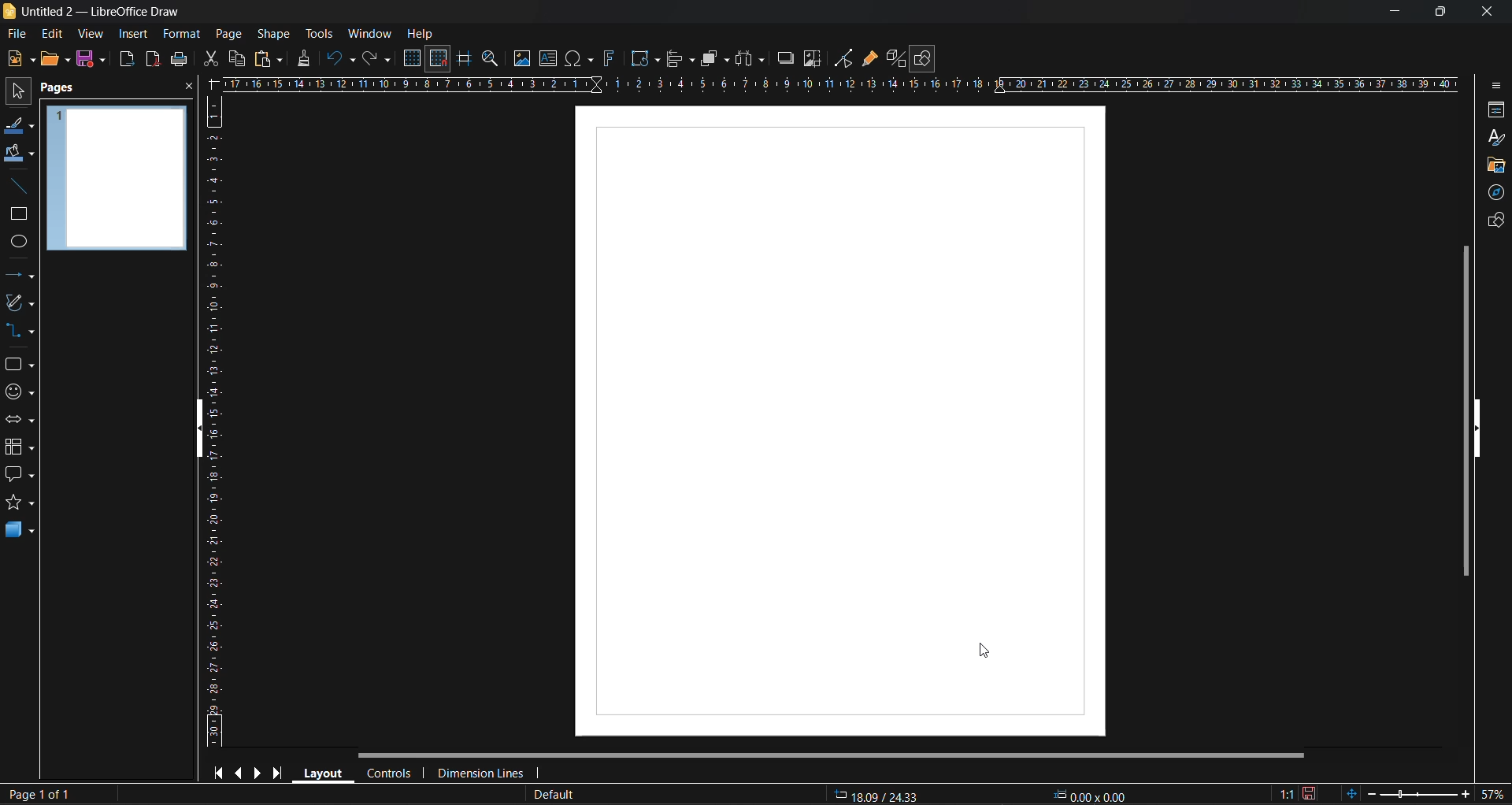  I want to click on layout, so click(325, 773).